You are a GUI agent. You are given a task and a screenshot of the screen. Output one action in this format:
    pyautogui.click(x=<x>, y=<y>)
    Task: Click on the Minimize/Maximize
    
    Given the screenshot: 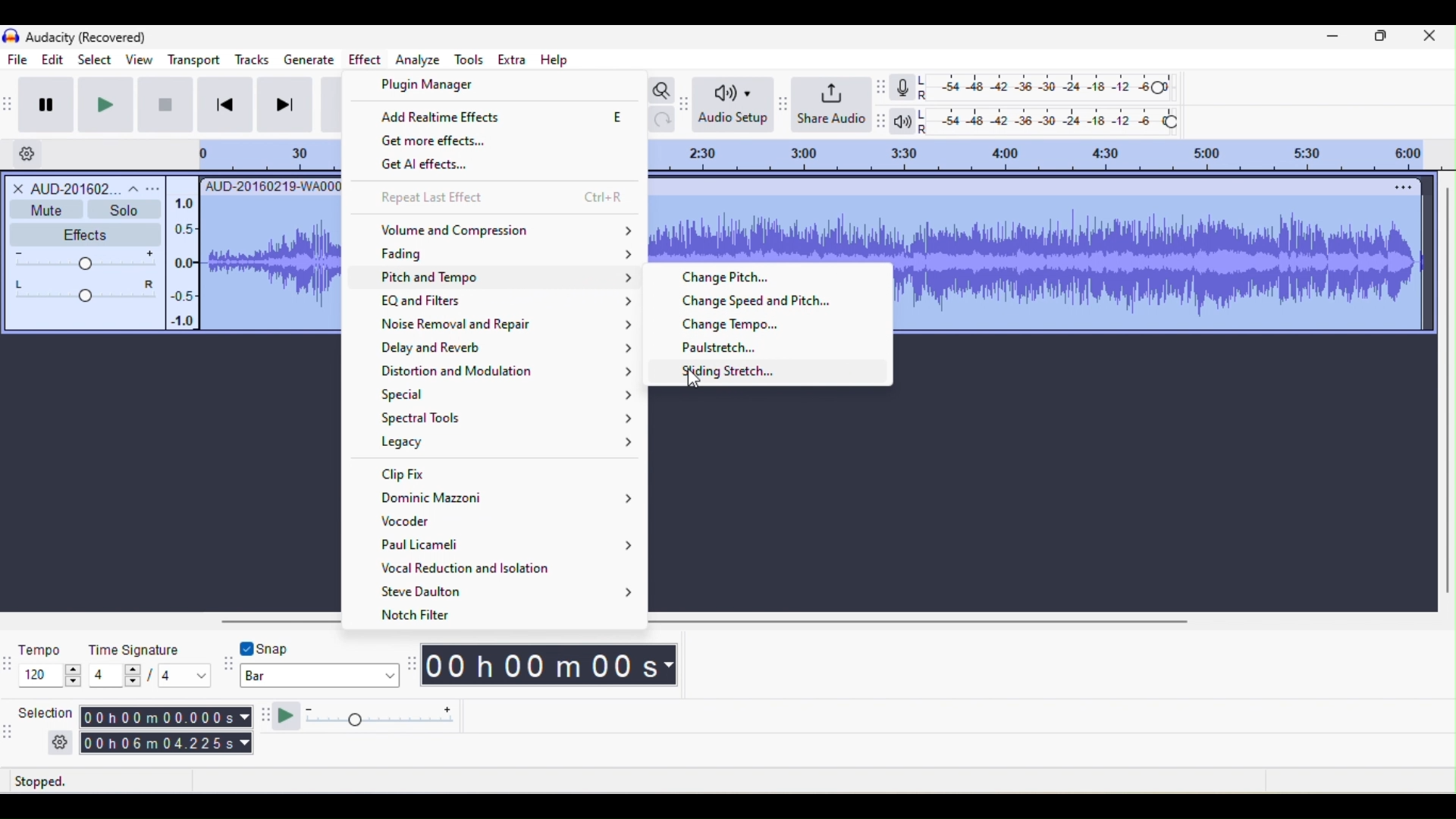 What is the action you would take?
    pyautogui.click(x=1382, y=39)
    